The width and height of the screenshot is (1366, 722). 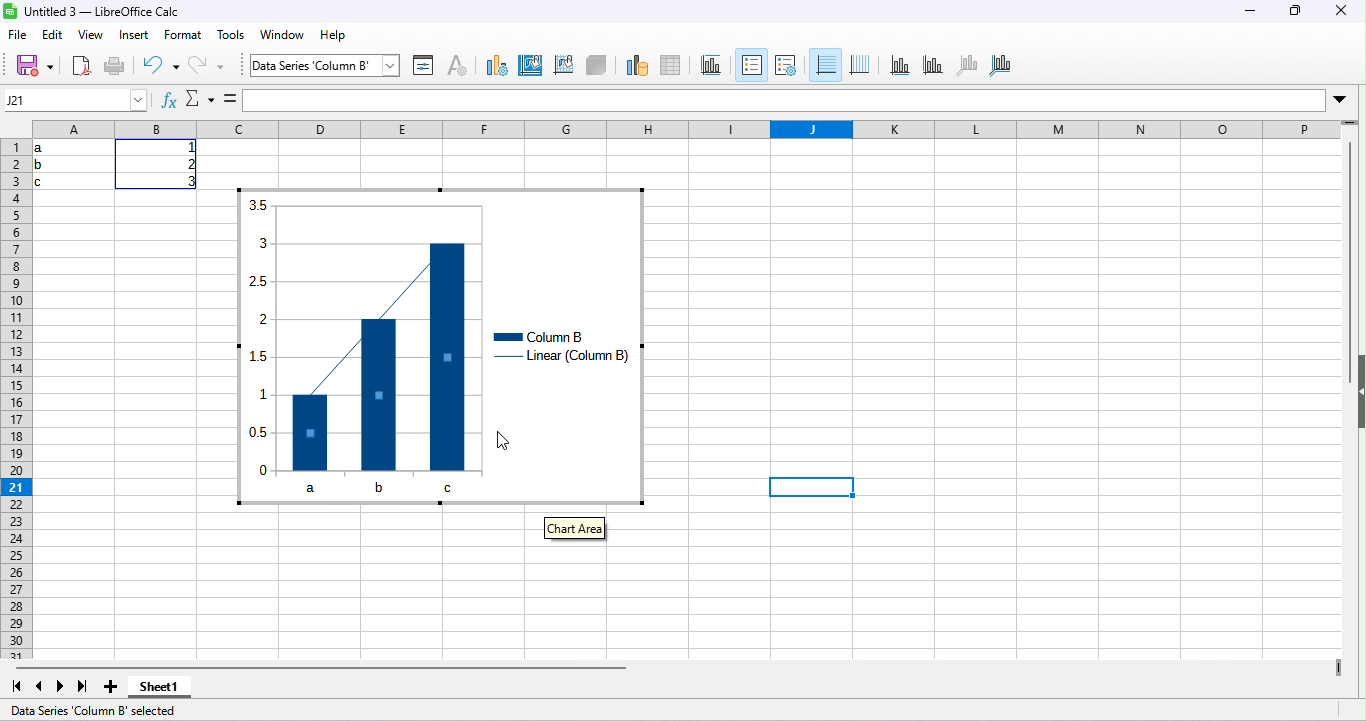 What do you see at coordinates (310, 66) in the screenshot?
I see `chart area` at bounding box center [310, 66].